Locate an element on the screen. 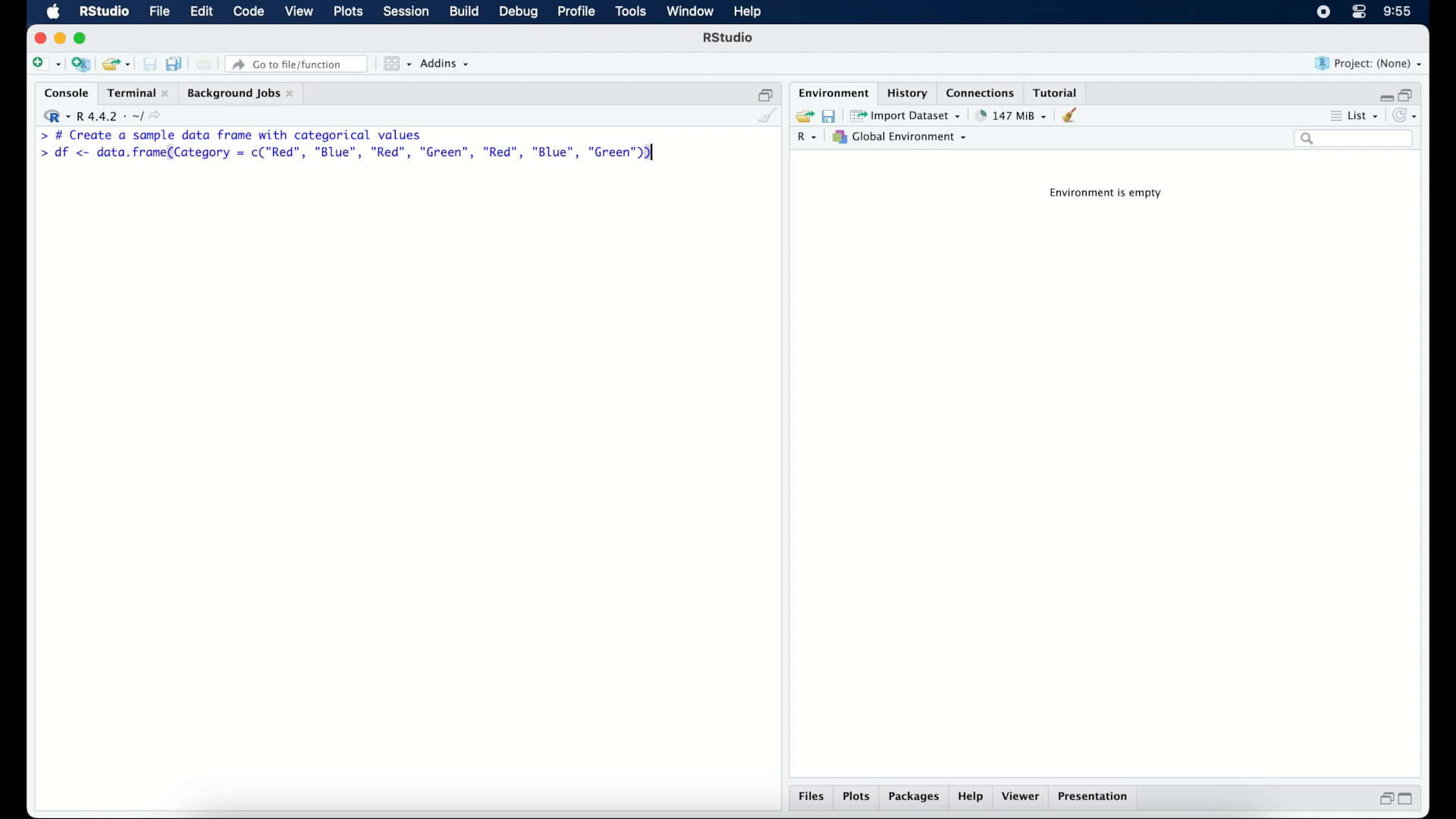  history is located at coordinates (909, 93).